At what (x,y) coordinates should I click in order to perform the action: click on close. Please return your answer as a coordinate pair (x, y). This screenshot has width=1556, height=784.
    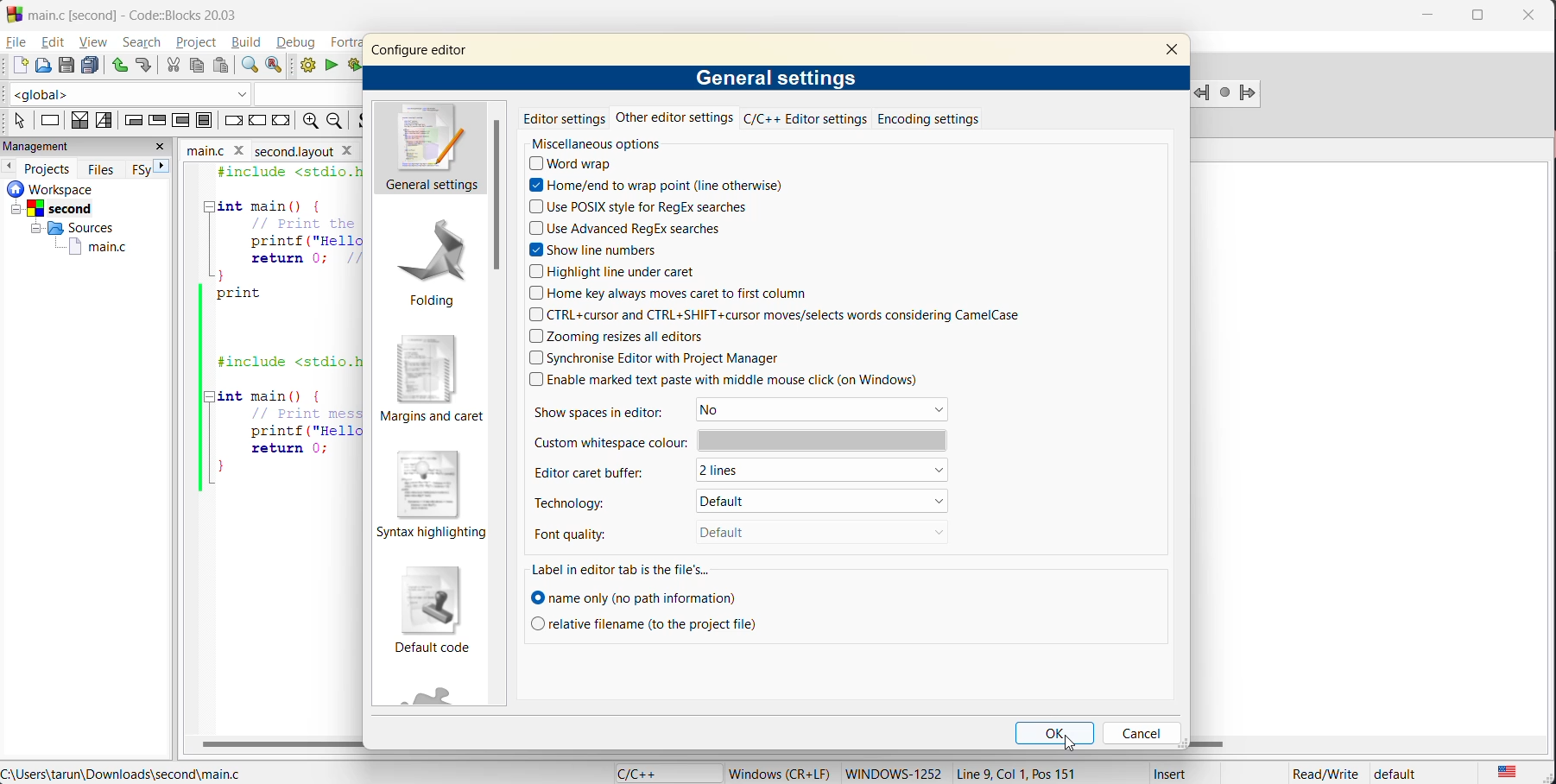
    Looking at the image, I should click on (161, 146).